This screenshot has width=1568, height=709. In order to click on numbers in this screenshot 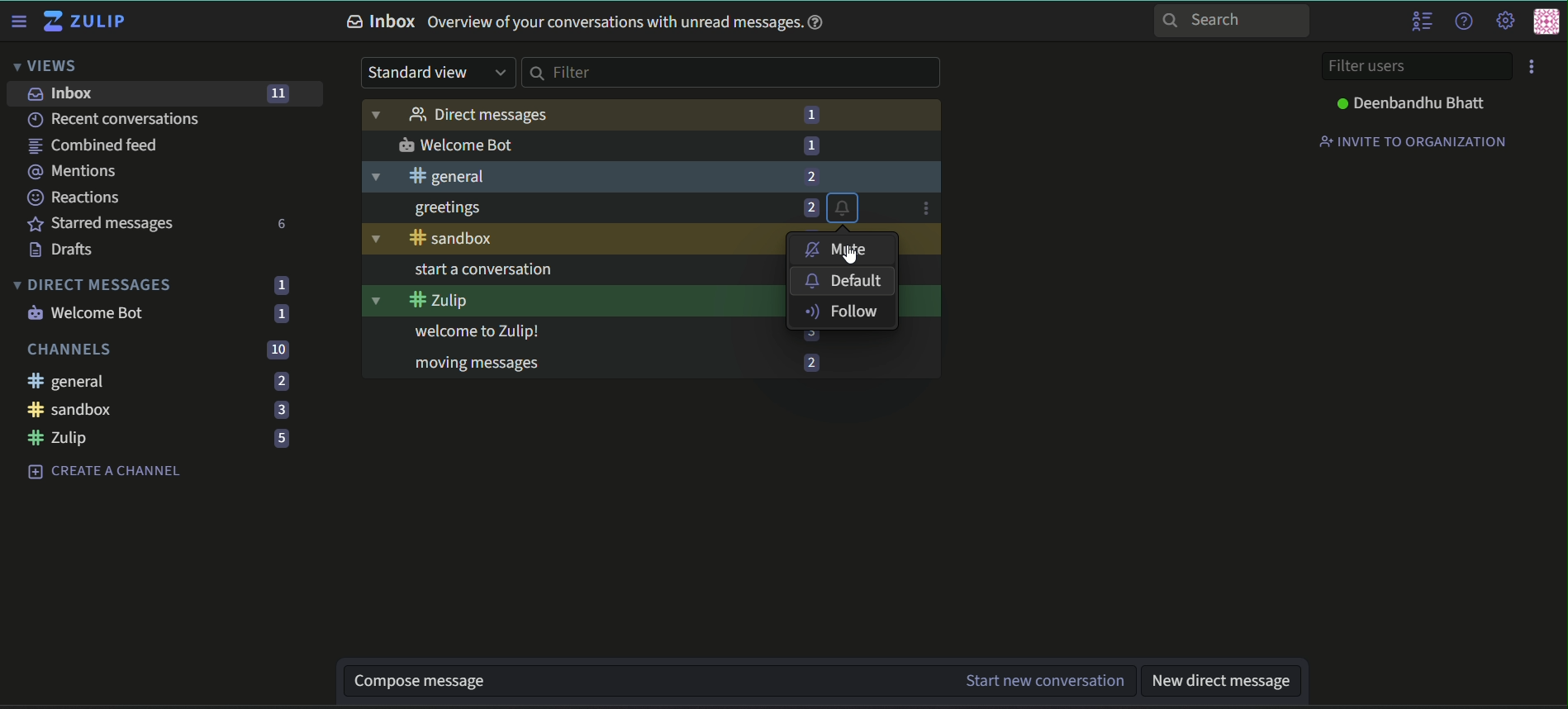, I will do `click(281, 314)`.